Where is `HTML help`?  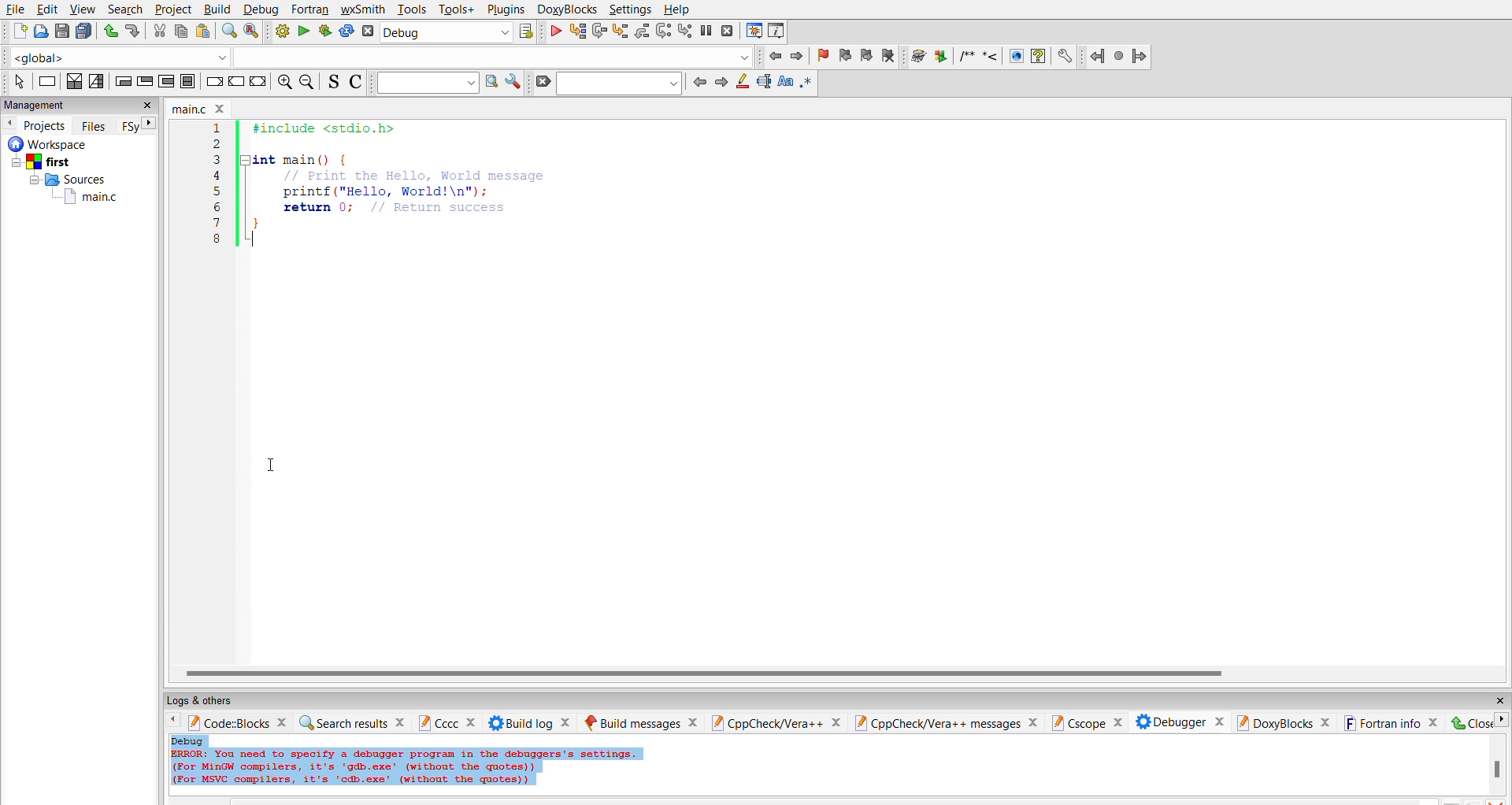
HTML help is located at coordinates (1040, 56).